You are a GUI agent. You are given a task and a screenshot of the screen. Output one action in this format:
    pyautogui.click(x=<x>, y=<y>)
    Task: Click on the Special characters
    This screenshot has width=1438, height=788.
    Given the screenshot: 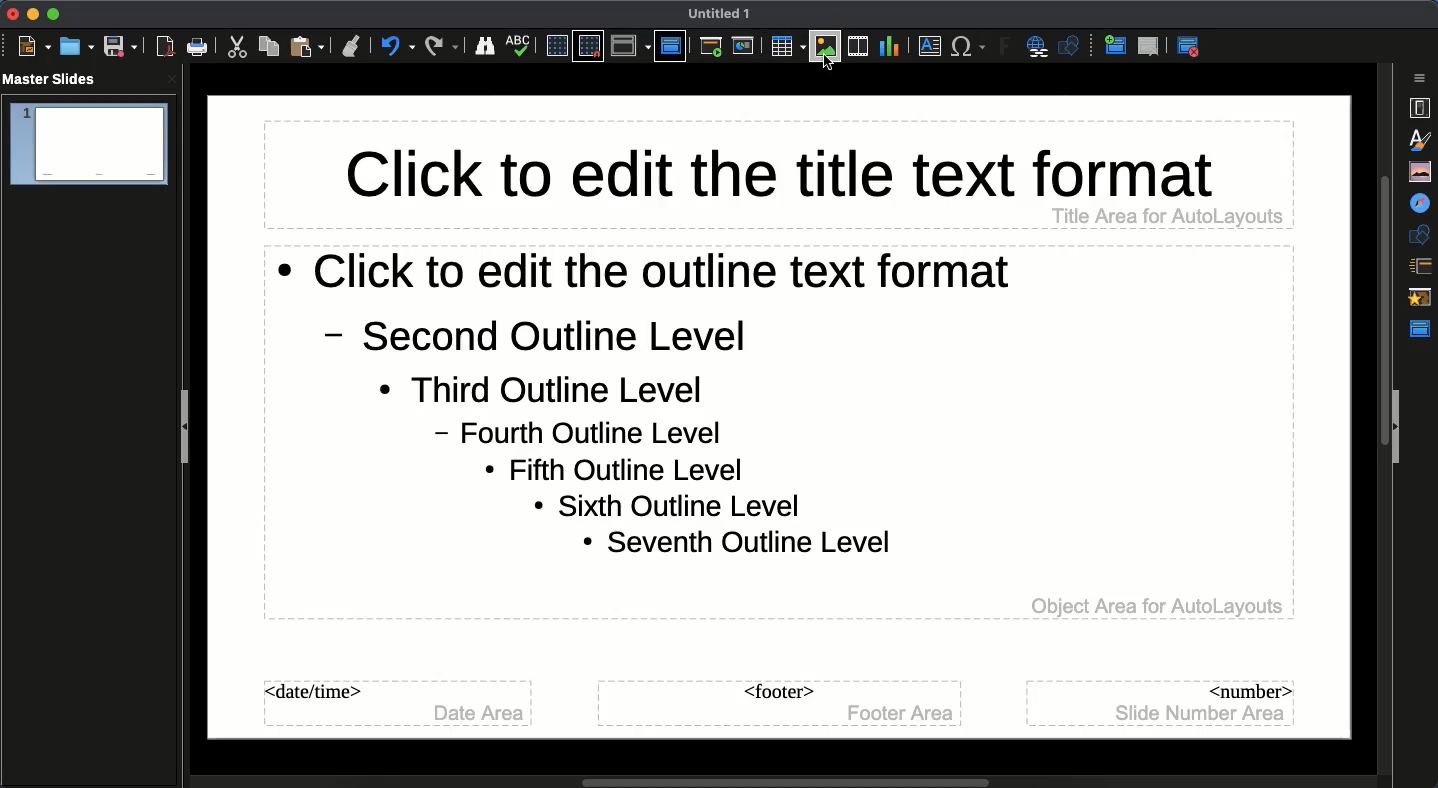 What is the action you would take?
    pyautogui.click(x=969, y=47)
    